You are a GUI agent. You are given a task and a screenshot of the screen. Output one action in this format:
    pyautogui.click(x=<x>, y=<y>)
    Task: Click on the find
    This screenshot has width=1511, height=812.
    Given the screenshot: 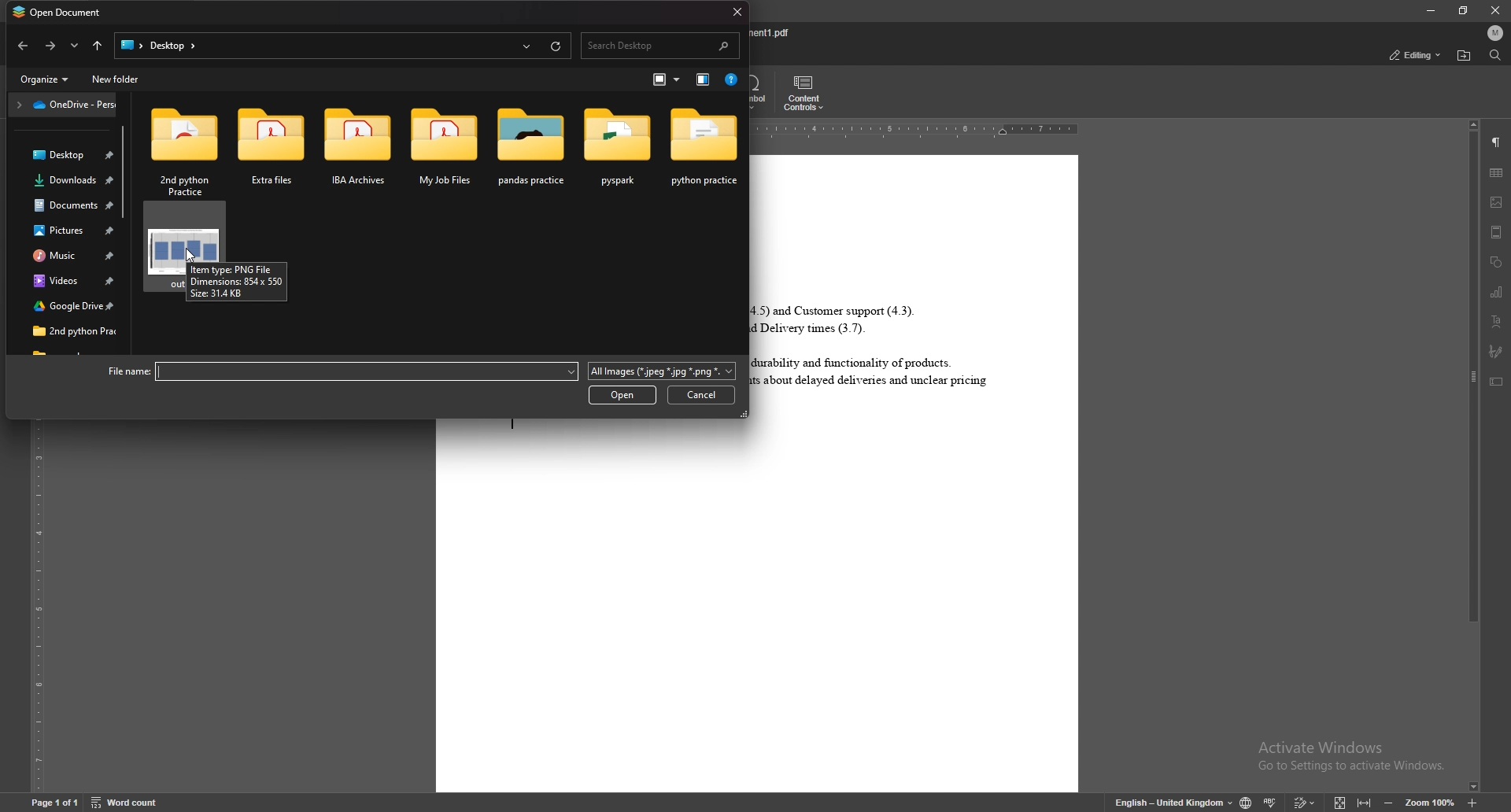 What is the action you would take?
    pyautogui.click(x=1495, y=54)
    